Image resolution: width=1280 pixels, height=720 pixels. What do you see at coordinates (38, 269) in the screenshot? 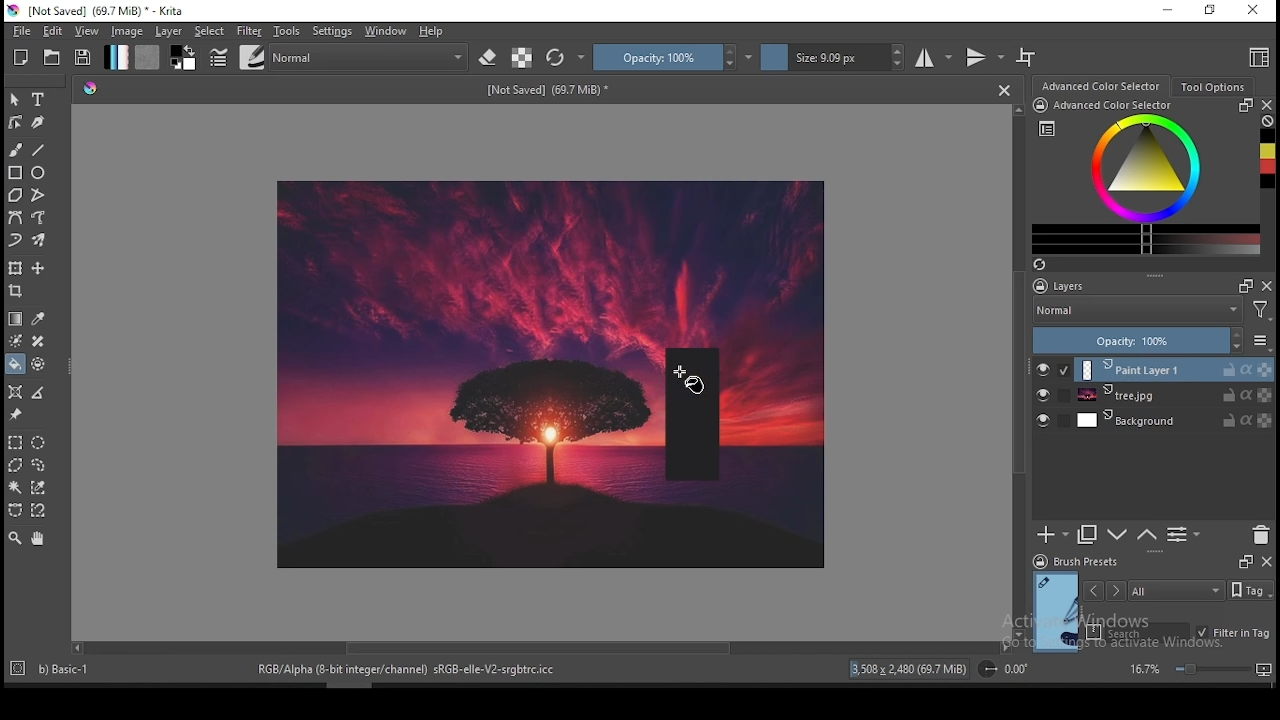
I see `move a layer` at bounding box center [38, 269].